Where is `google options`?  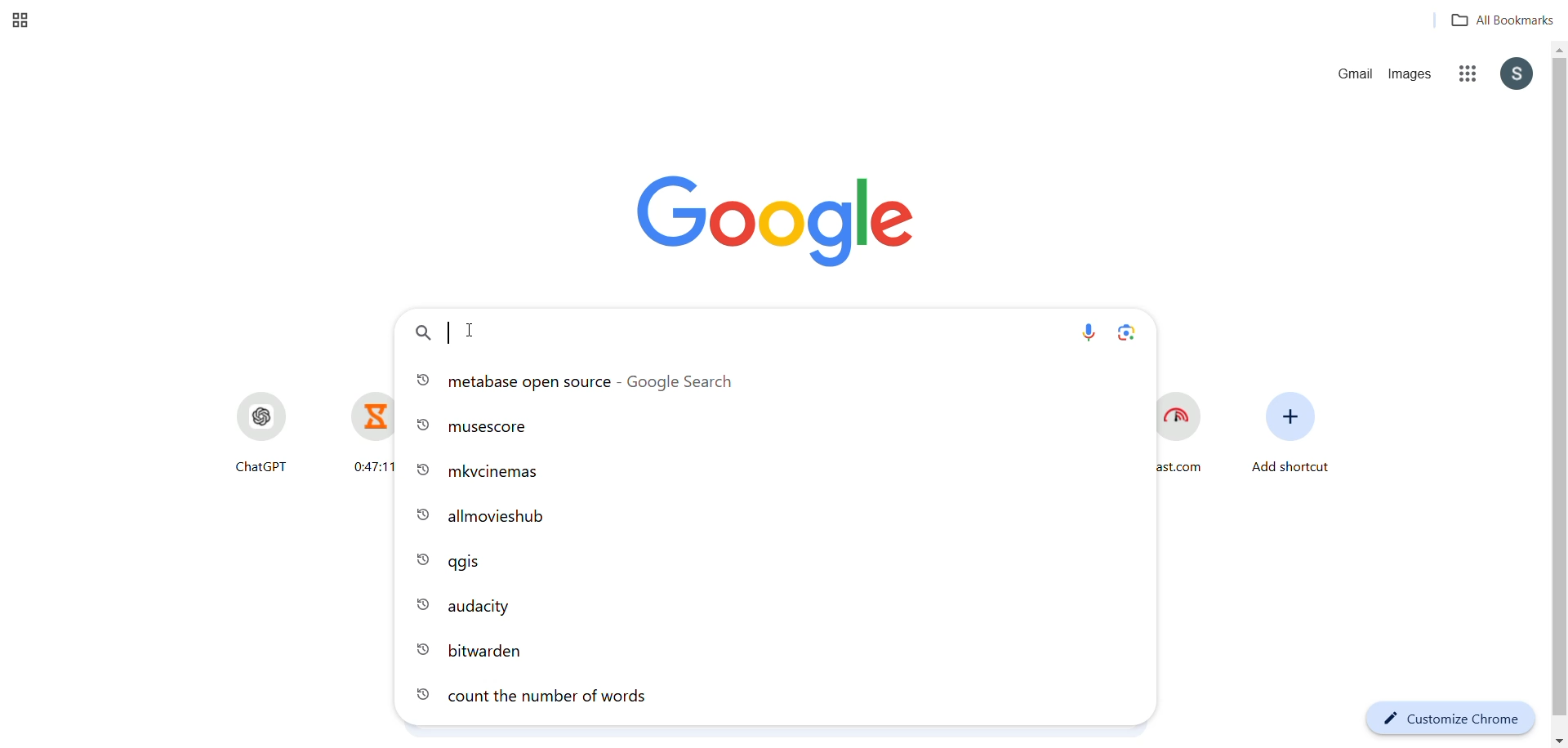
google options is located at coordinates (1467, 75).